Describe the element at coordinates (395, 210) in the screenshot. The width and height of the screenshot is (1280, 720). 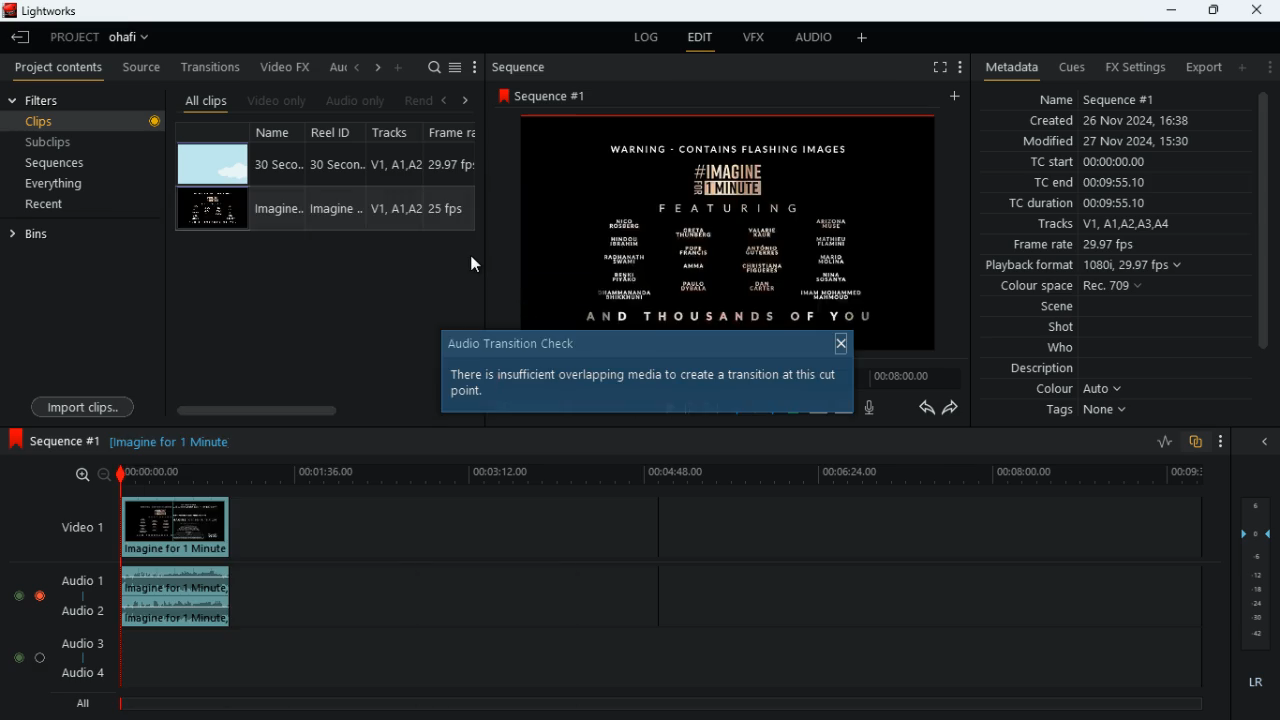
I see `V1, A1, Aw` at that location.